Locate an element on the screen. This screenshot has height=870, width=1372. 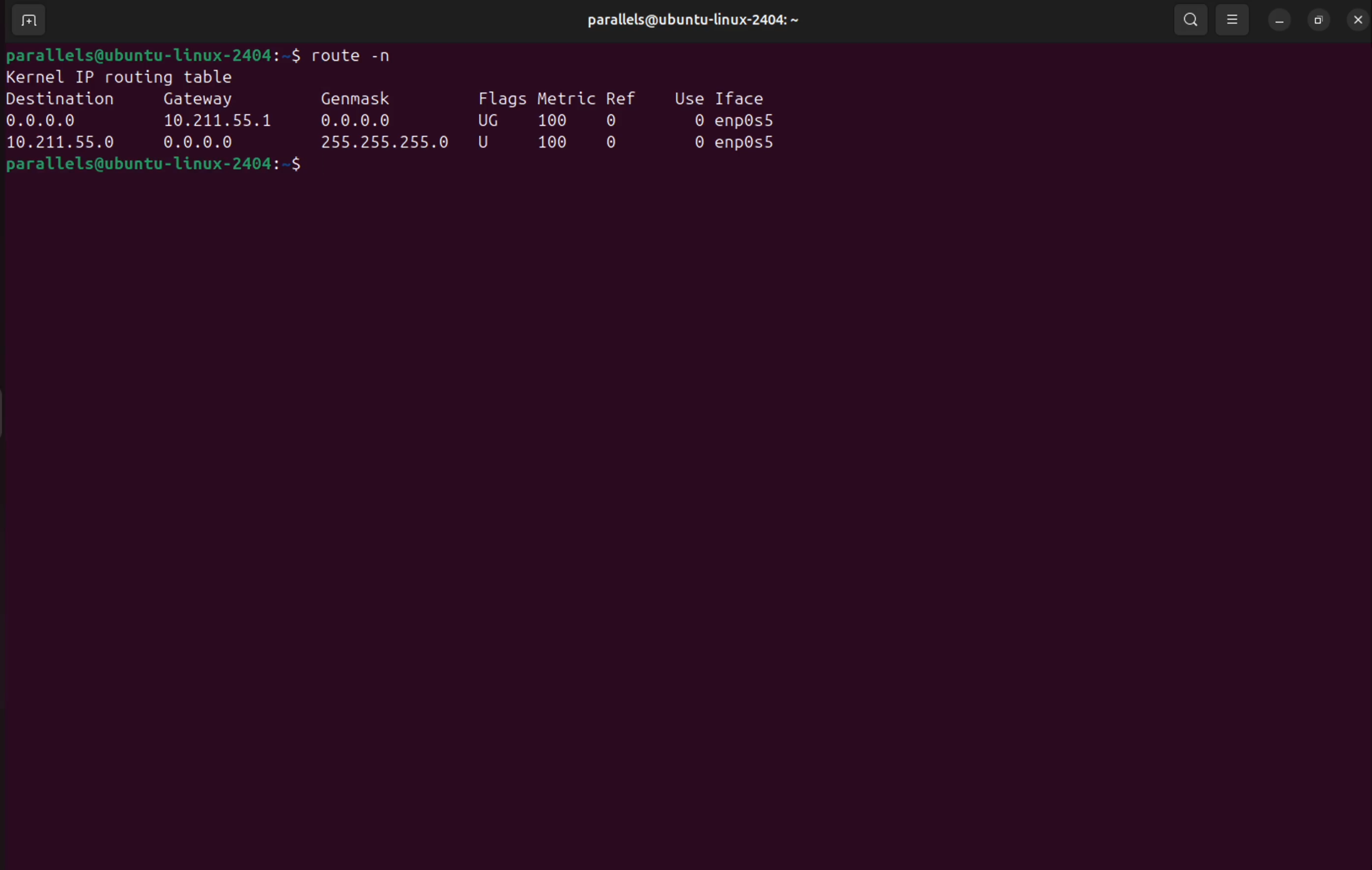
bash prompt is located at coordinates (153, 53).